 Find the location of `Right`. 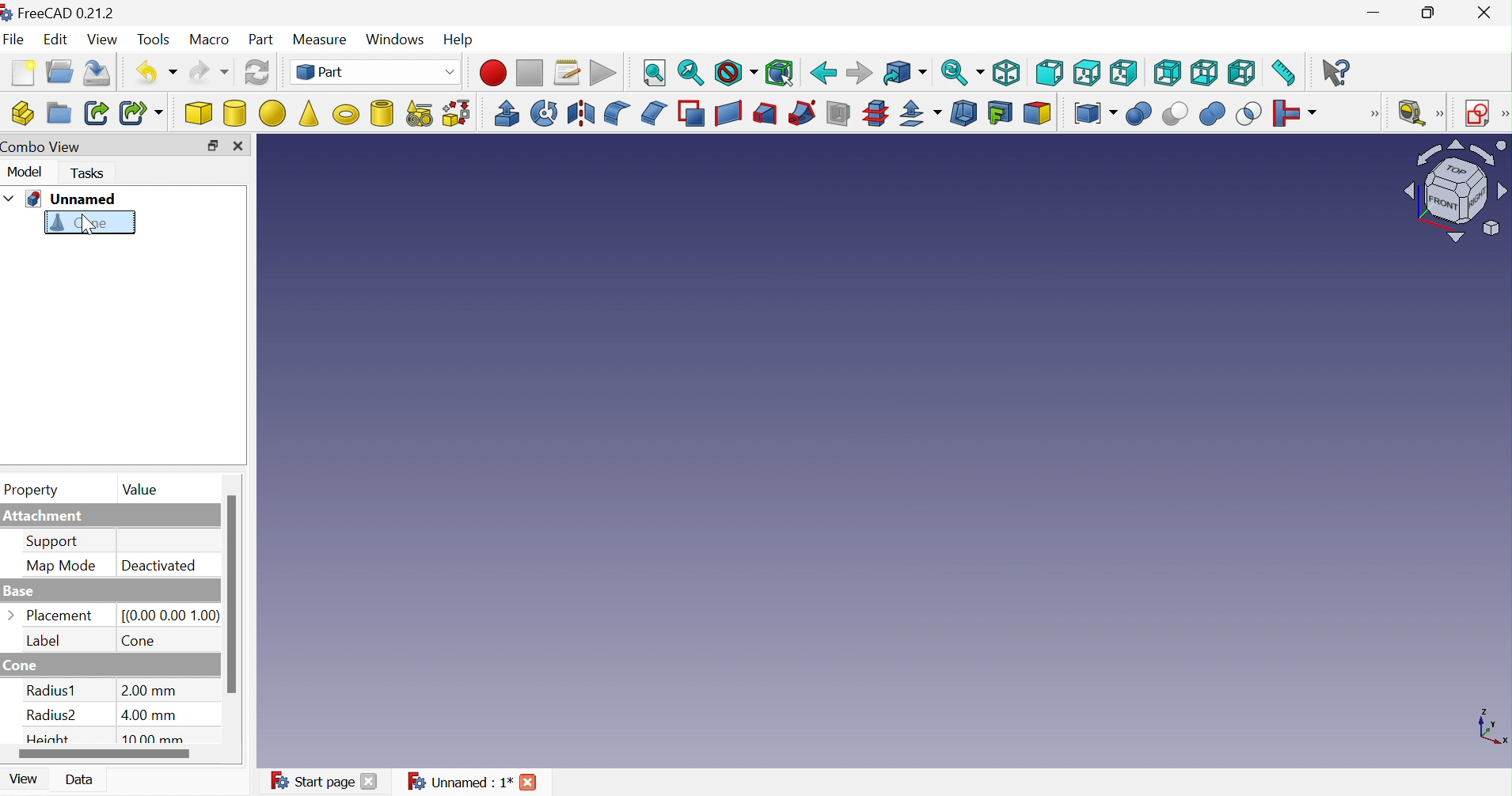

Right is located at coordinates (1124, 71).